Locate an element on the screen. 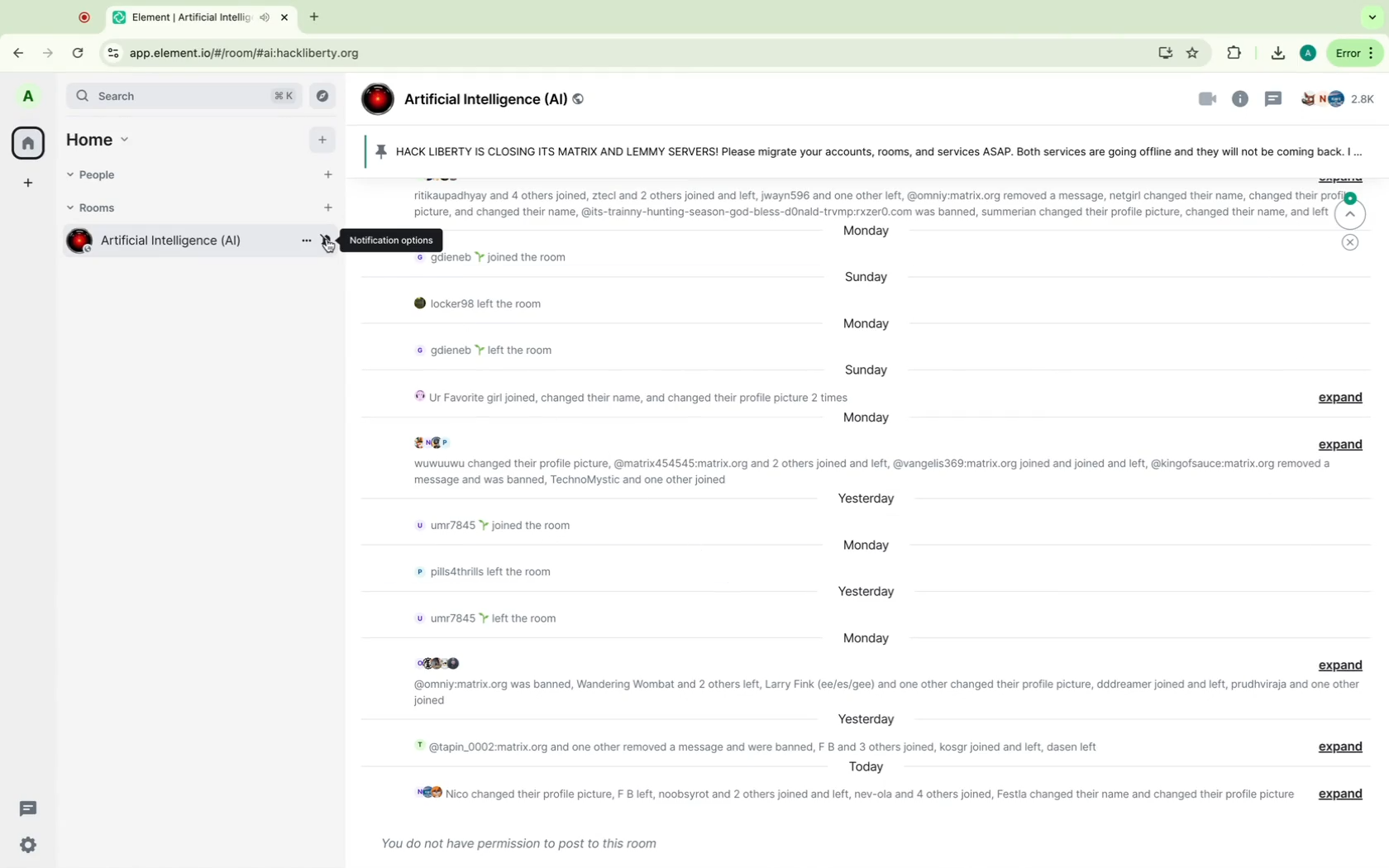  profile pictures is located at coordinates (438, 441).